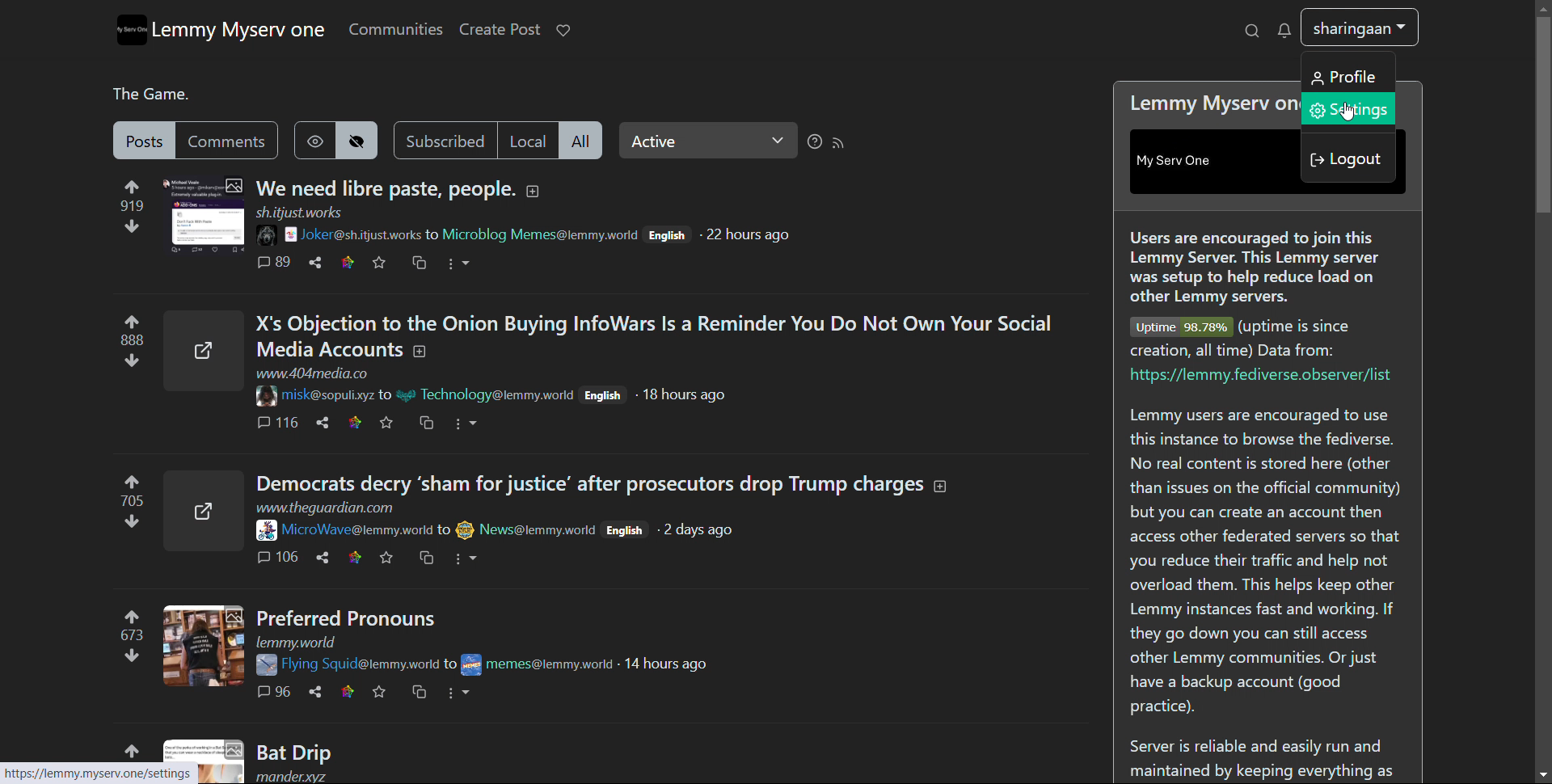  What do you see at coordinates (1358, 28) in the screenshot?
I see `profile` at bounding box center [1358, 28].